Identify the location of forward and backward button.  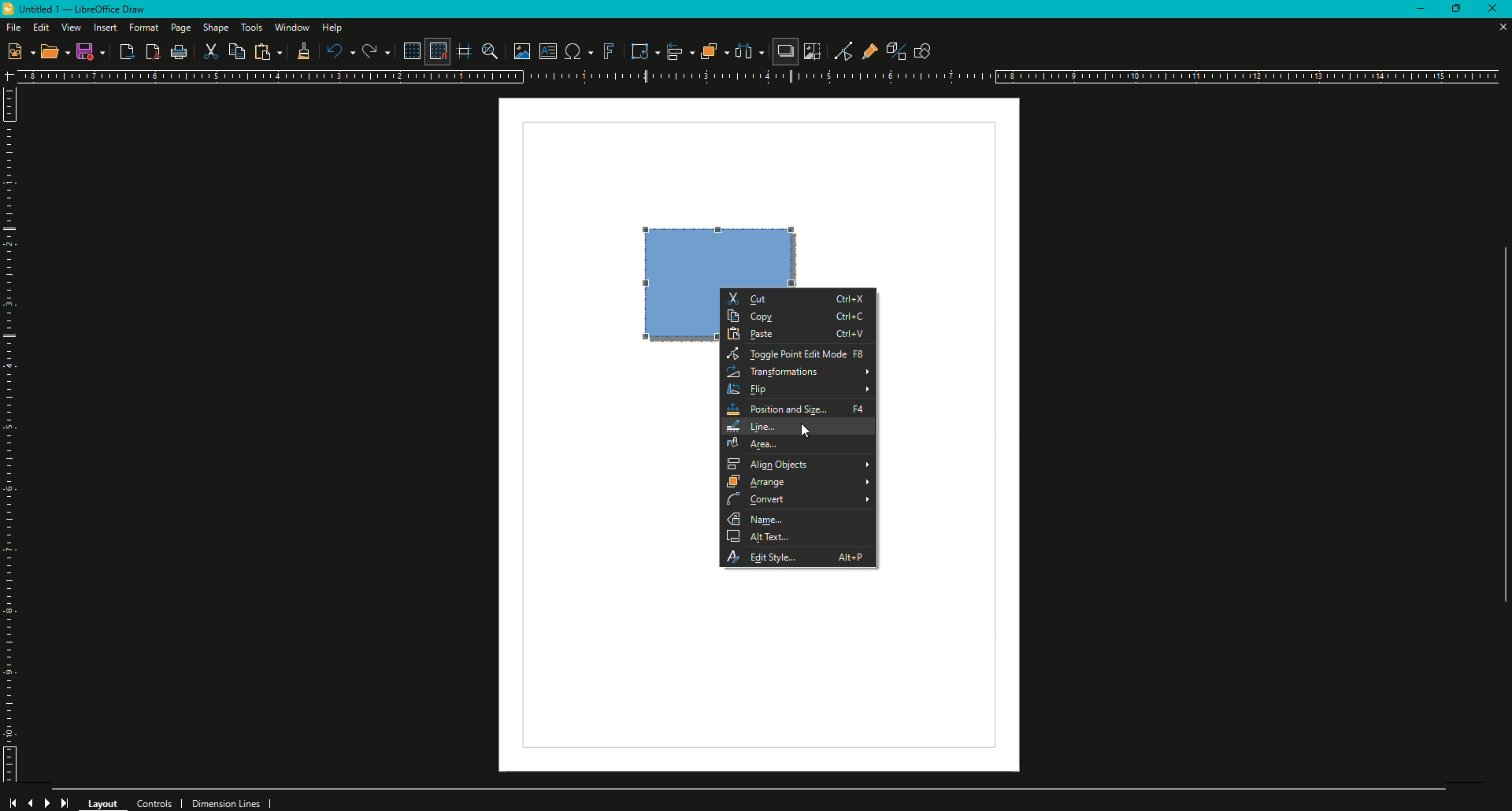
(40, 801).